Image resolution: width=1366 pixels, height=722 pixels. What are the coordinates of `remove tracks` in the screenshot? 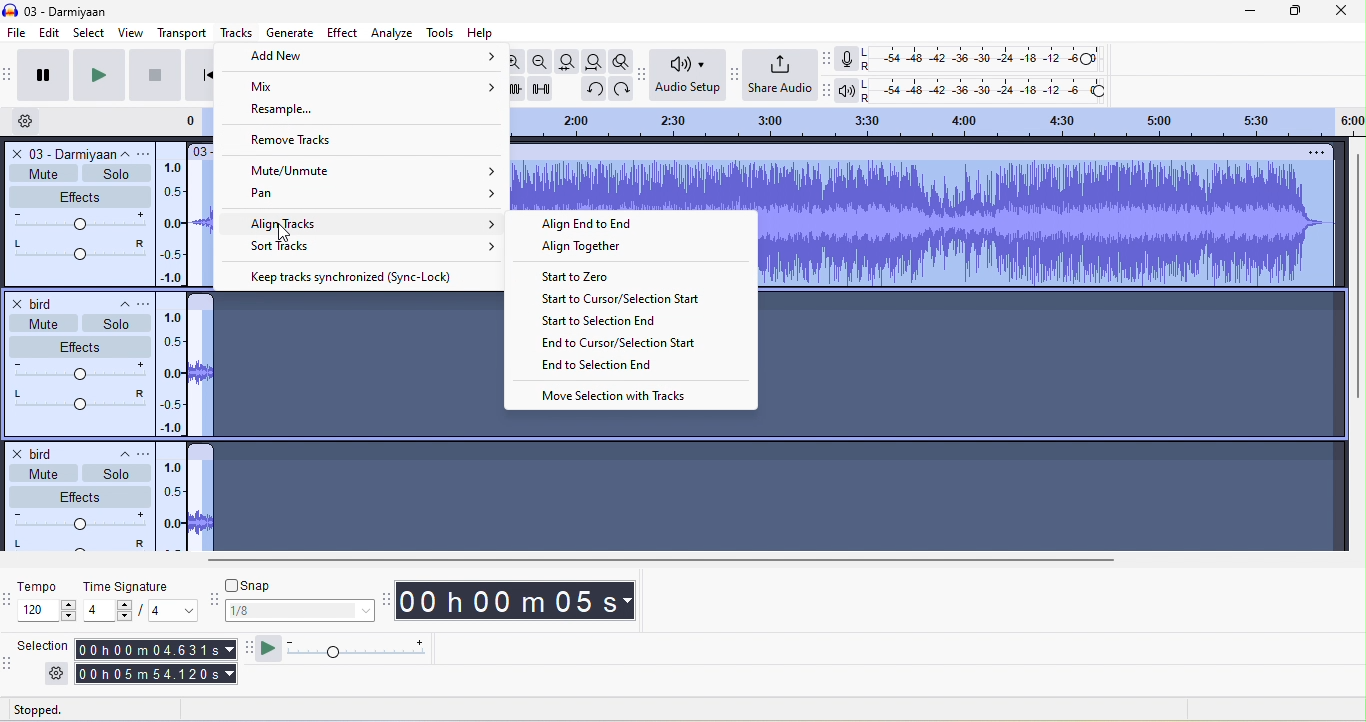 It's located at (320, 140).